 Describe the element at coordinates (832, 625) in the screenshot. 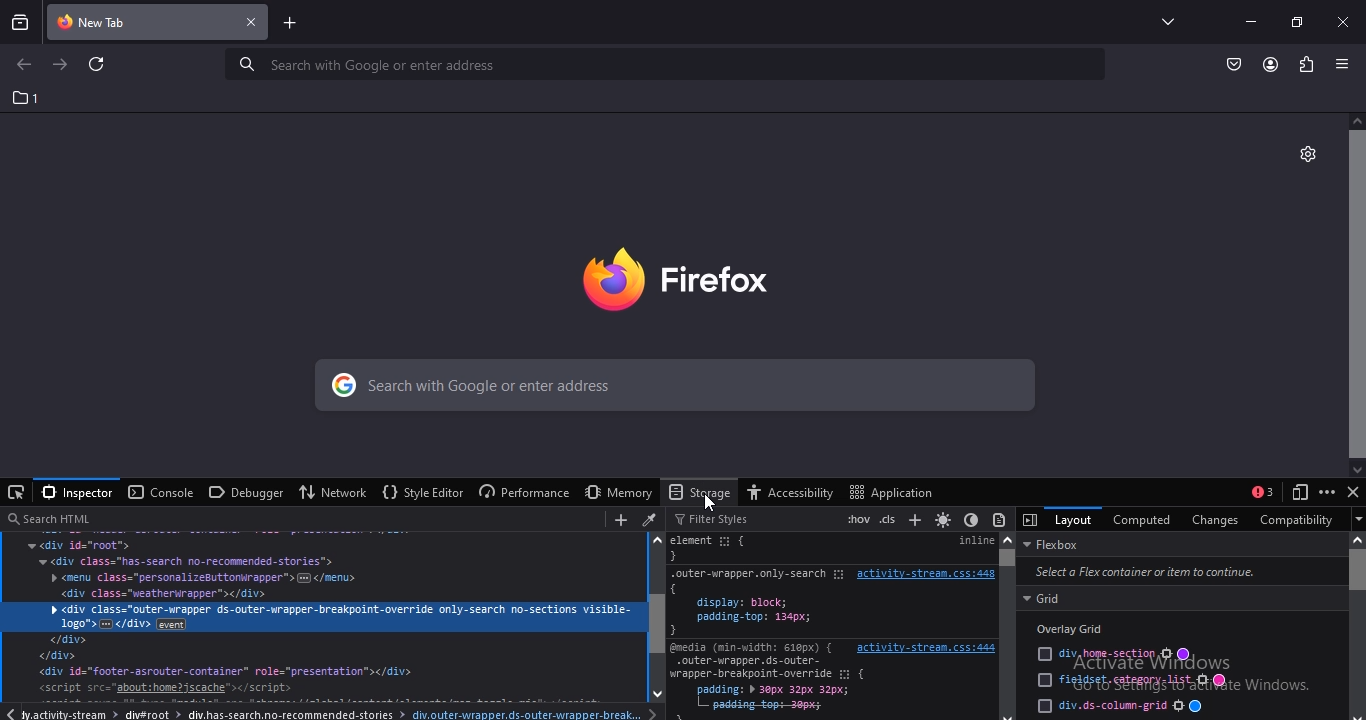

I see `text` at that location.